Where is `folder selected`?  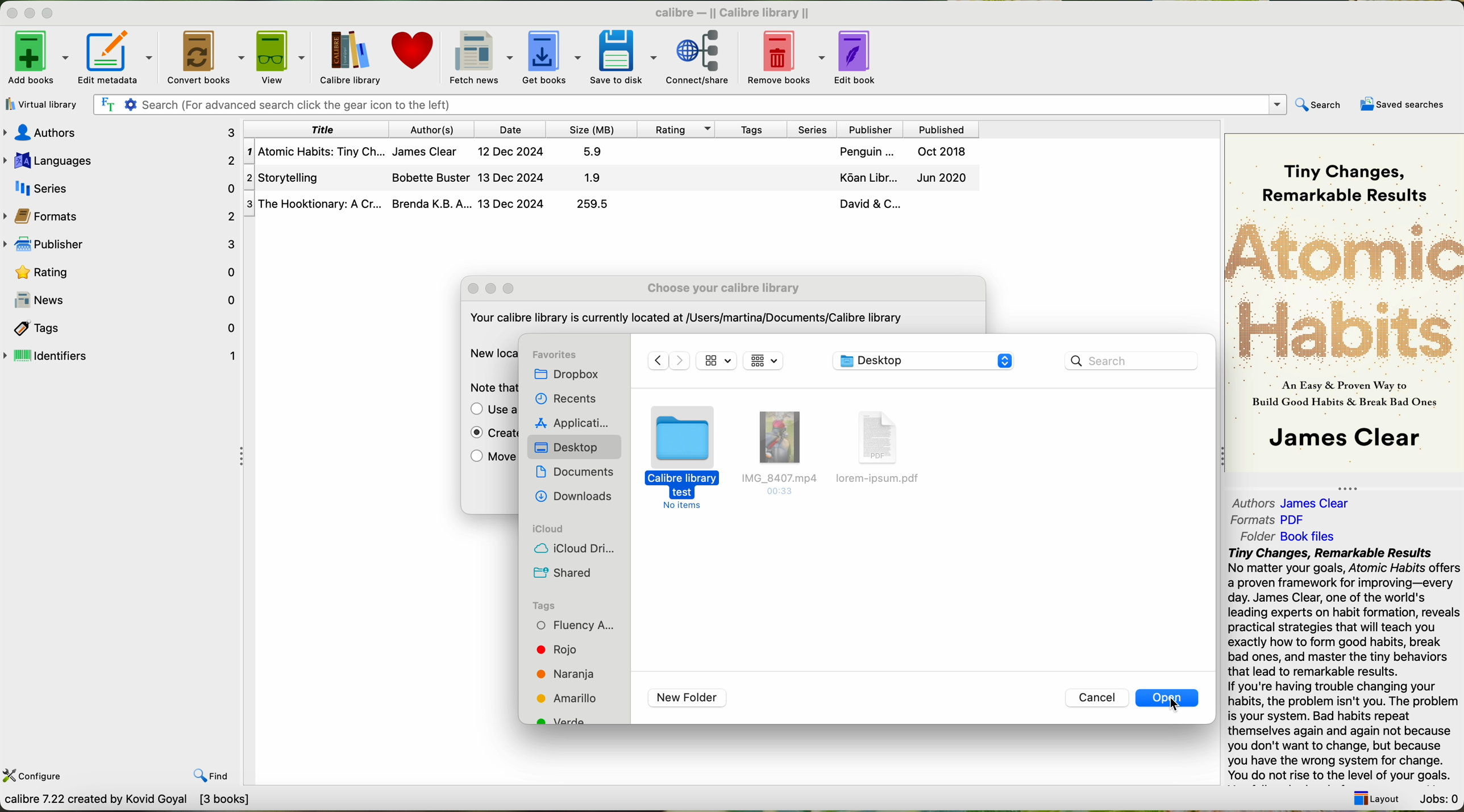 folder selected is located at coordinates (681, 460).